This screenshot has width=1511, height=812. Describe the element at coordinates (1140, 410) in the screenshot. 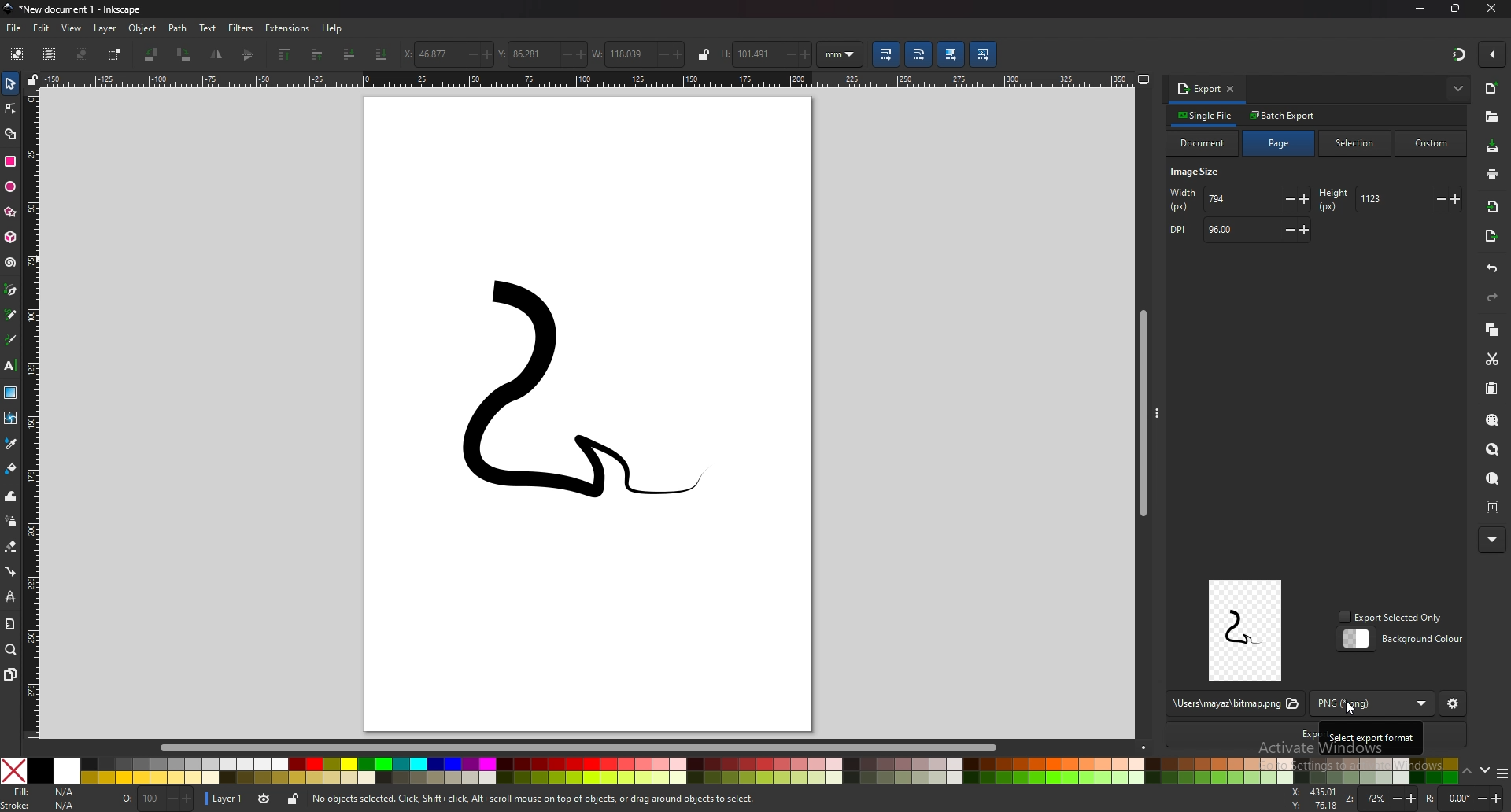

I see `scroll bar` at that location.